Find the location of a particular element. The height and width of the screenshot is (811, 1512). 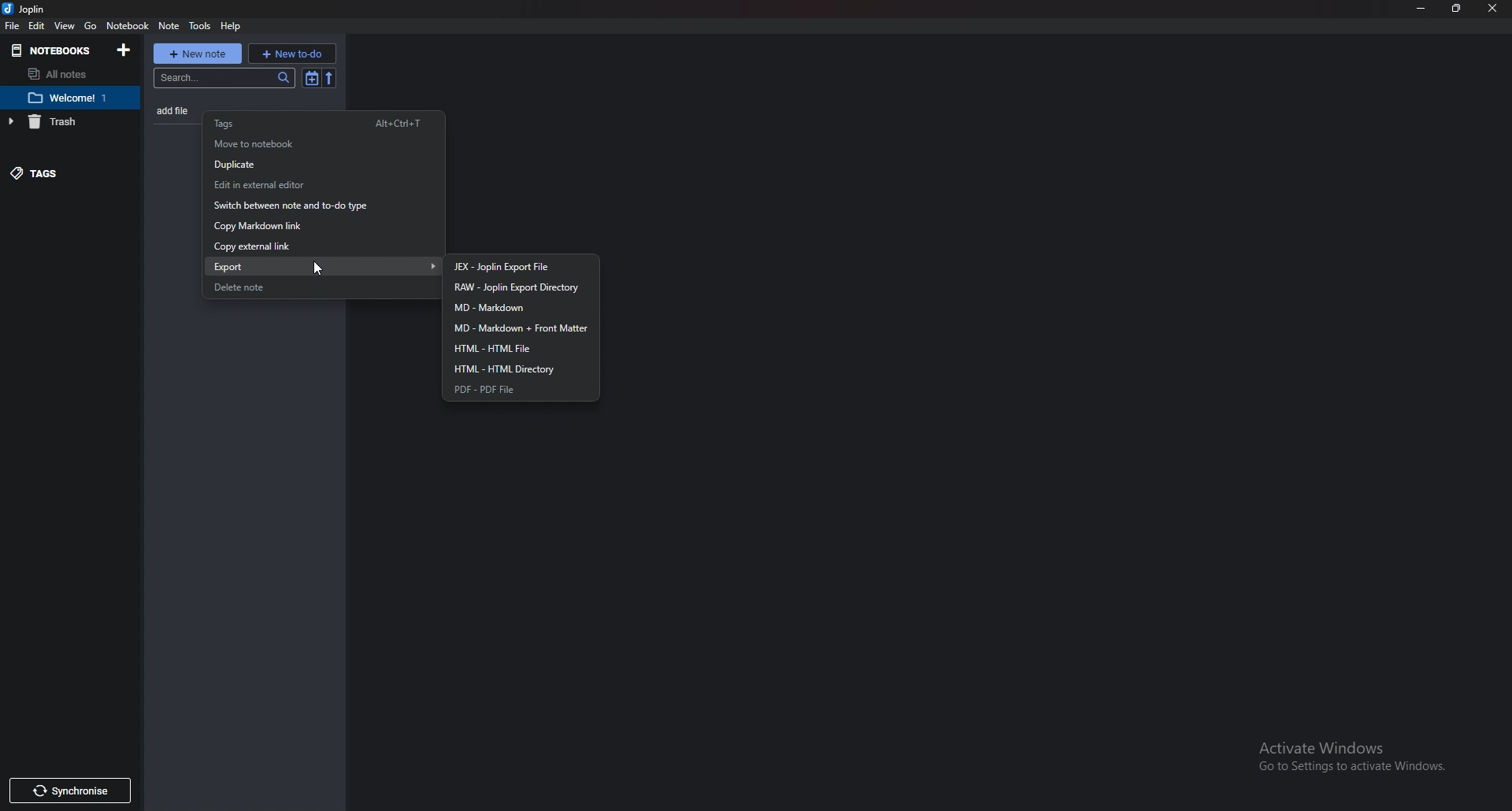

All notes is located at coordinates (62, 74).